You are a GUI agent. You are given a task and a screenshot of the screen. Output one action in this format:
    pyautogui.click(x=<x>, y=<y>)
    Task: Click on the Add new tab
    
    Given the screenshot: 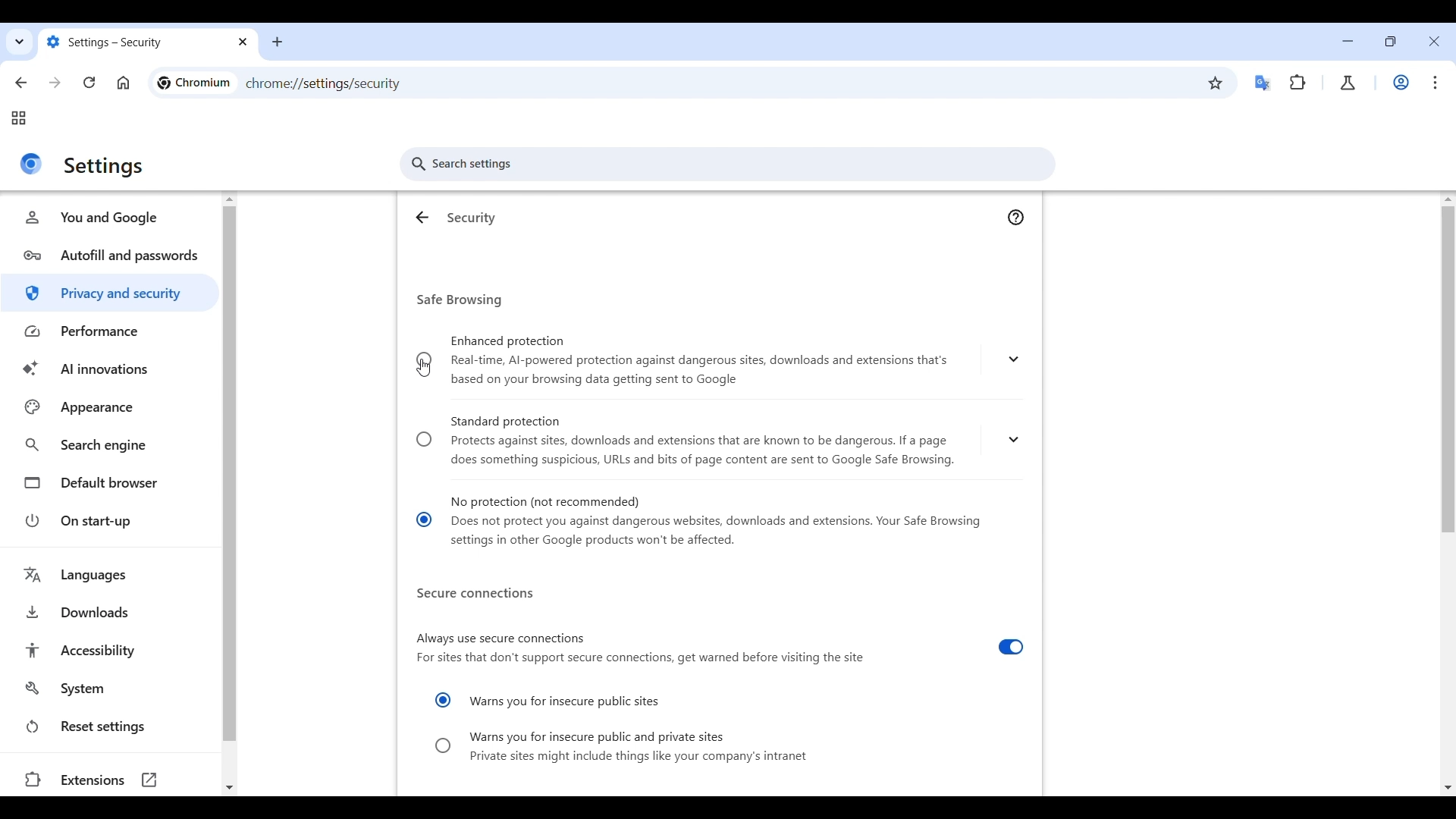 What is the action you would take?
    pyautogui.click(x=278, y=42)
    